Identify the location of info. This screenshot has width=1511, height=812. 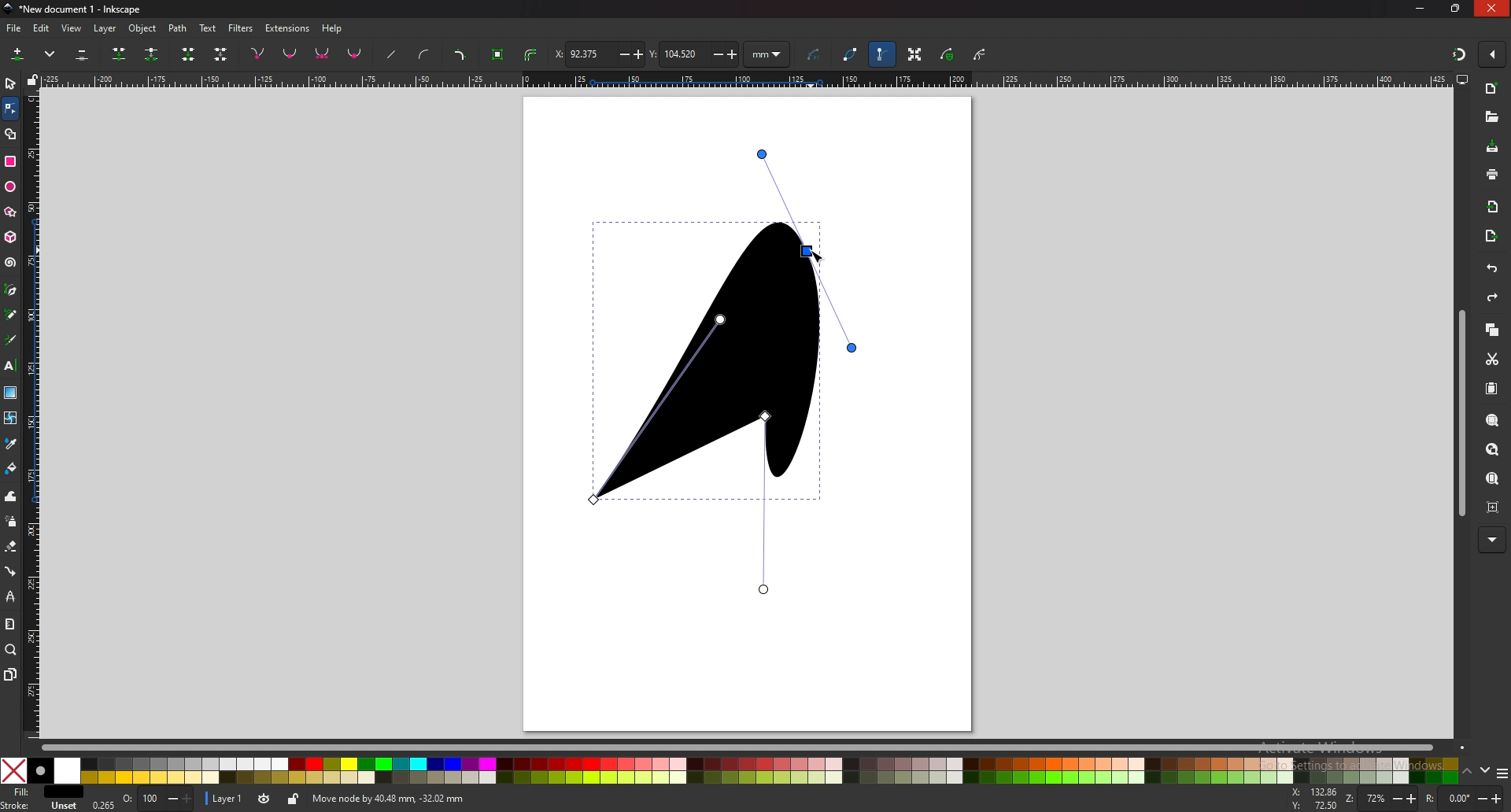
(534, 799).